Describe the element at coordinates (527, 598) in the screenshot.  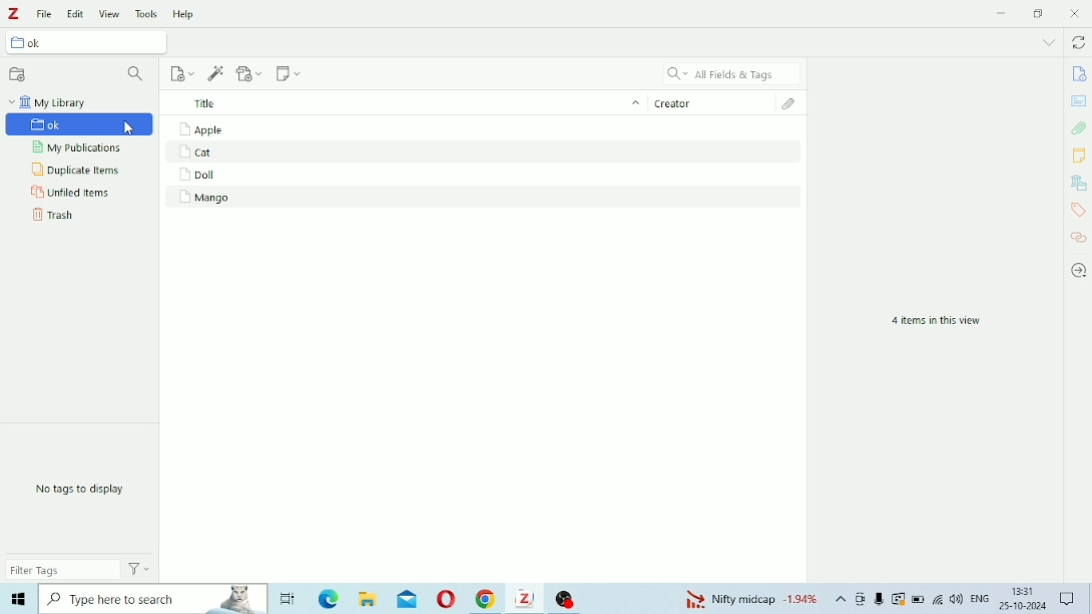
I see `Zotero` at that location.